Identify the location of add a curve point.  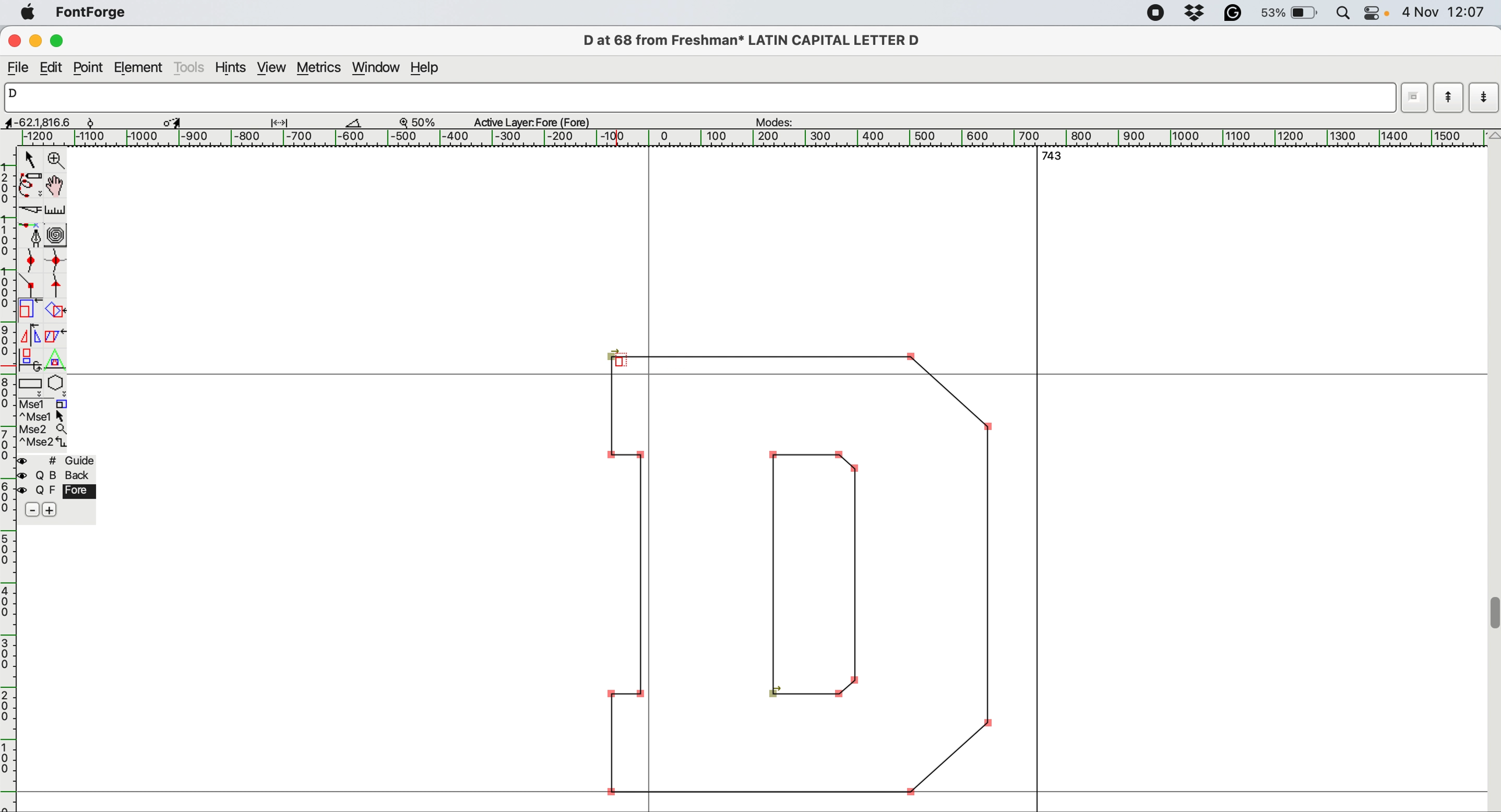
(28, 262).